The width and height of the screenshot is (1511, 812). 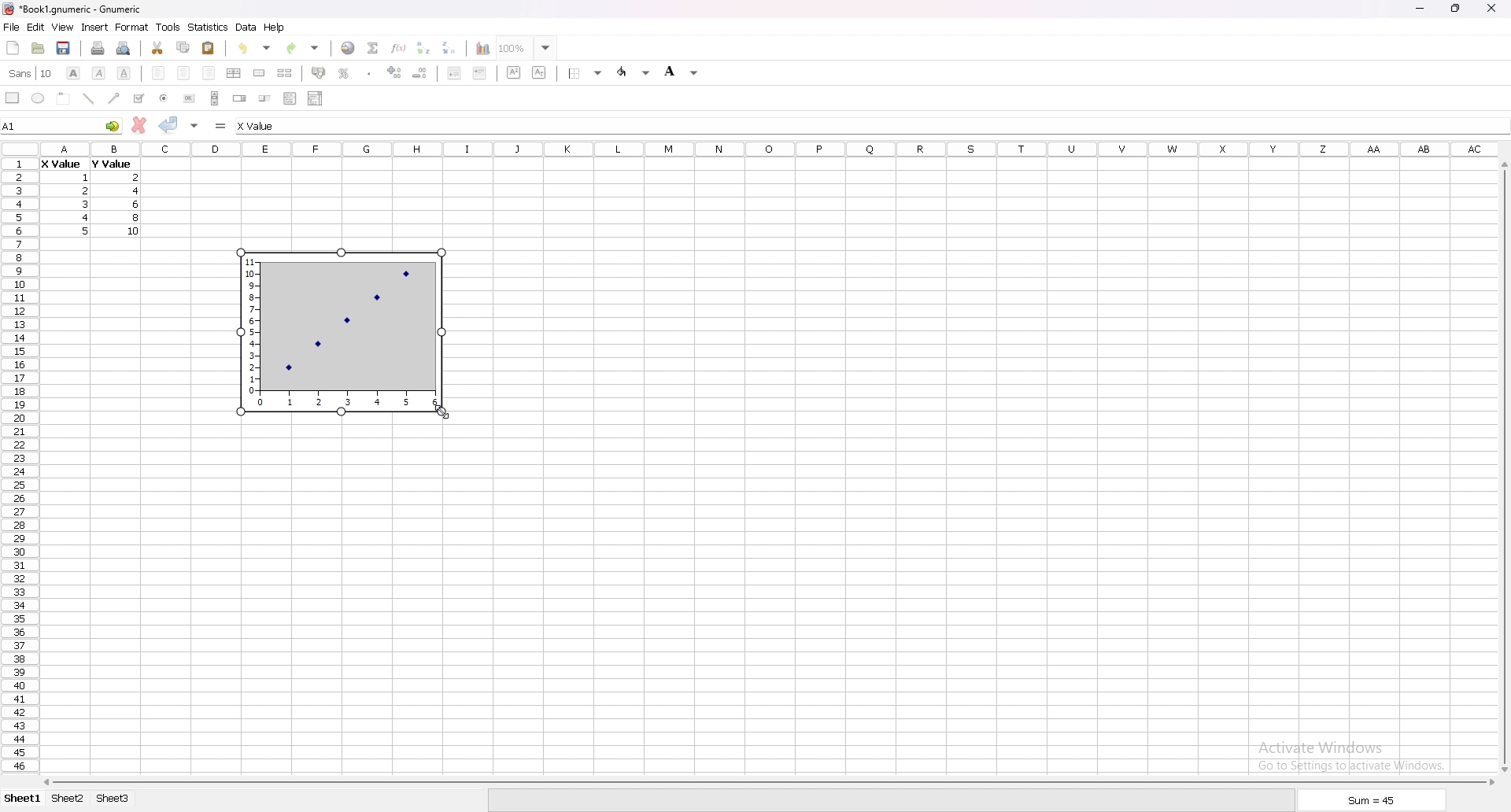 I want to click on redo, so click(x=305, y=48).